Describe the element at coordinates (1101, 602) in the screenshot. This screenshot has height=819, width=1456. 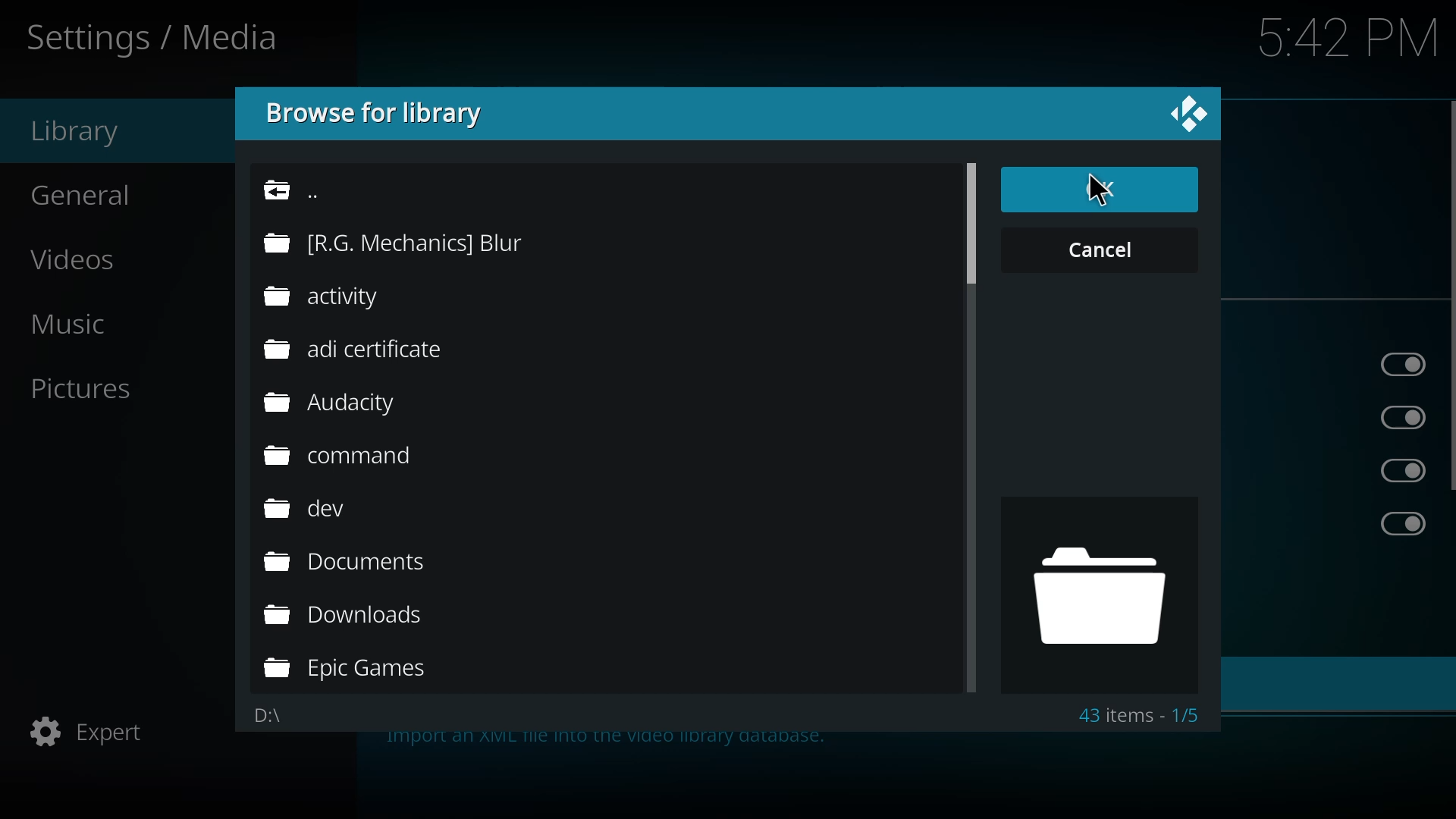
I see `folder` at that location.